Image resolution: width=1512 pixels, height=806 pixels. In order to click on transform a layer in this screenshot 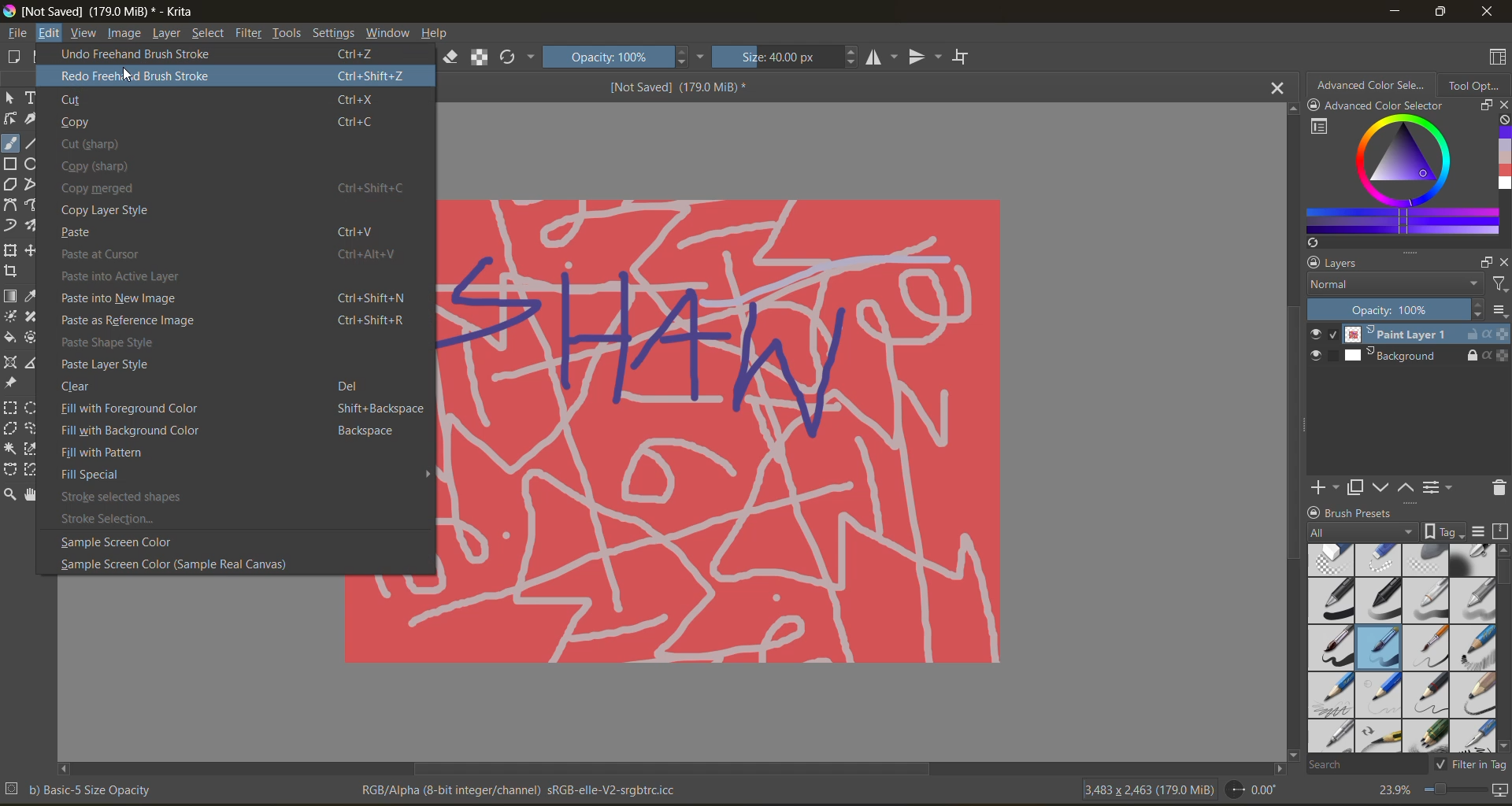, I will do `click(12, 250)`.